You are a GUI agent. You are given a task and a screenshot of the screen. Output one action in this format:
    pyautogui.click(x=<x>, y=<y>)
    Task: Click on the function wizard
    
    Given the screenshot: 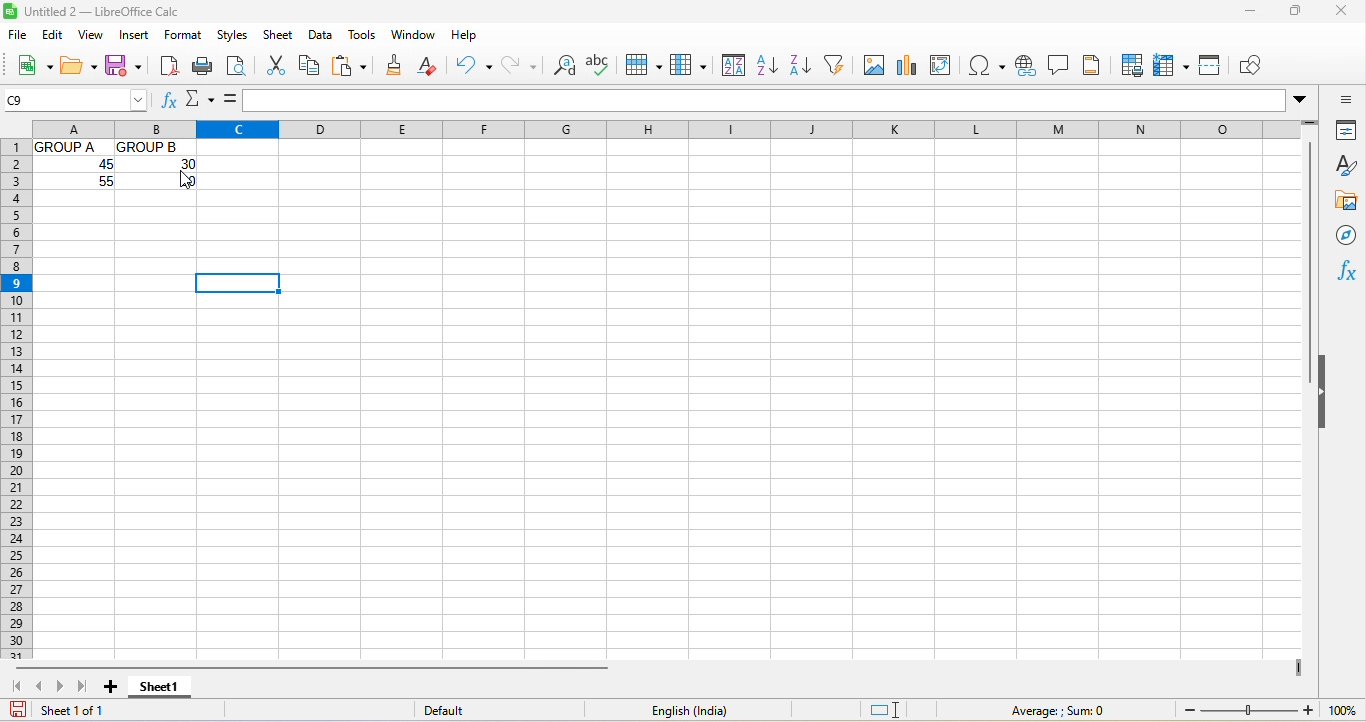 What is the action you would take?
    pyautogui.click(x=166, y=103)
    